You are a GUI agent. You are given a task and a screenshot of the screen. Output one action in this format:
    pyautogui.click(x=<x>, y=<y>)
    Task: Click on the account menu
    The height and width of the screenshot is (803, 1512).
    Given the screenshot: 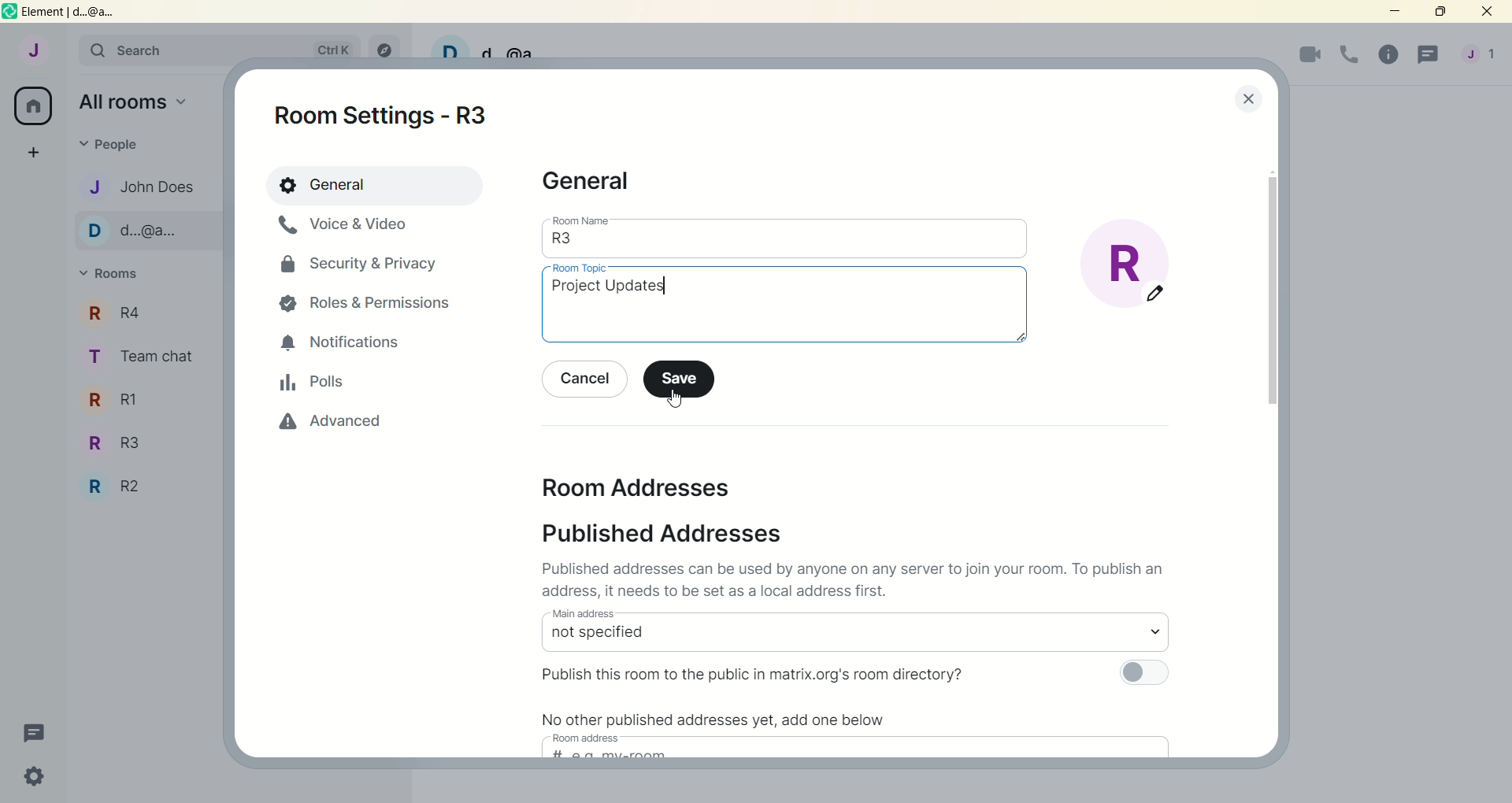 What is the action you would take?
    pyautogui.click(x=1480, y=56)
    